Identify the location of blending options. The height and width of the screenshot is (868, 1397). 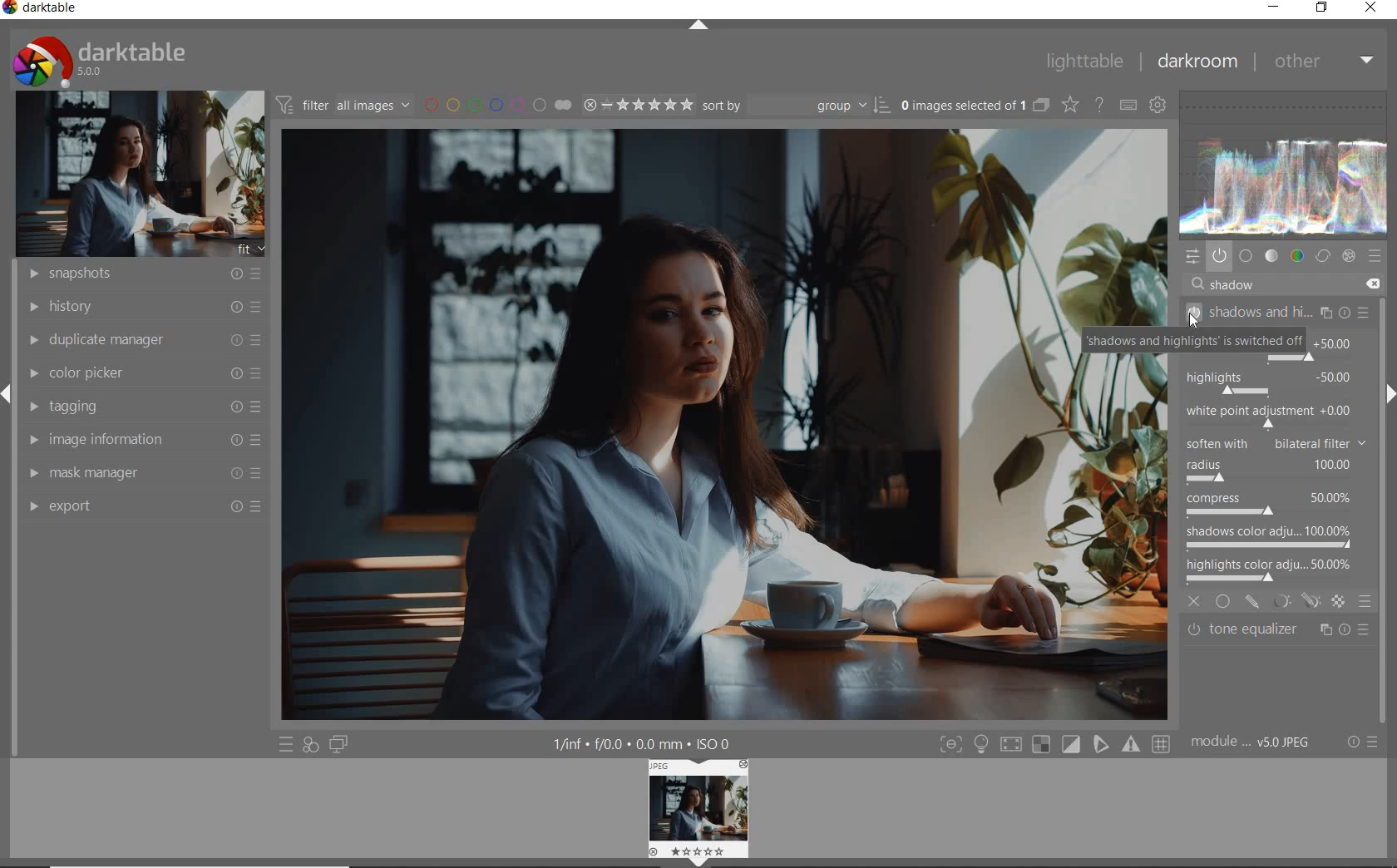
(1365, 601).